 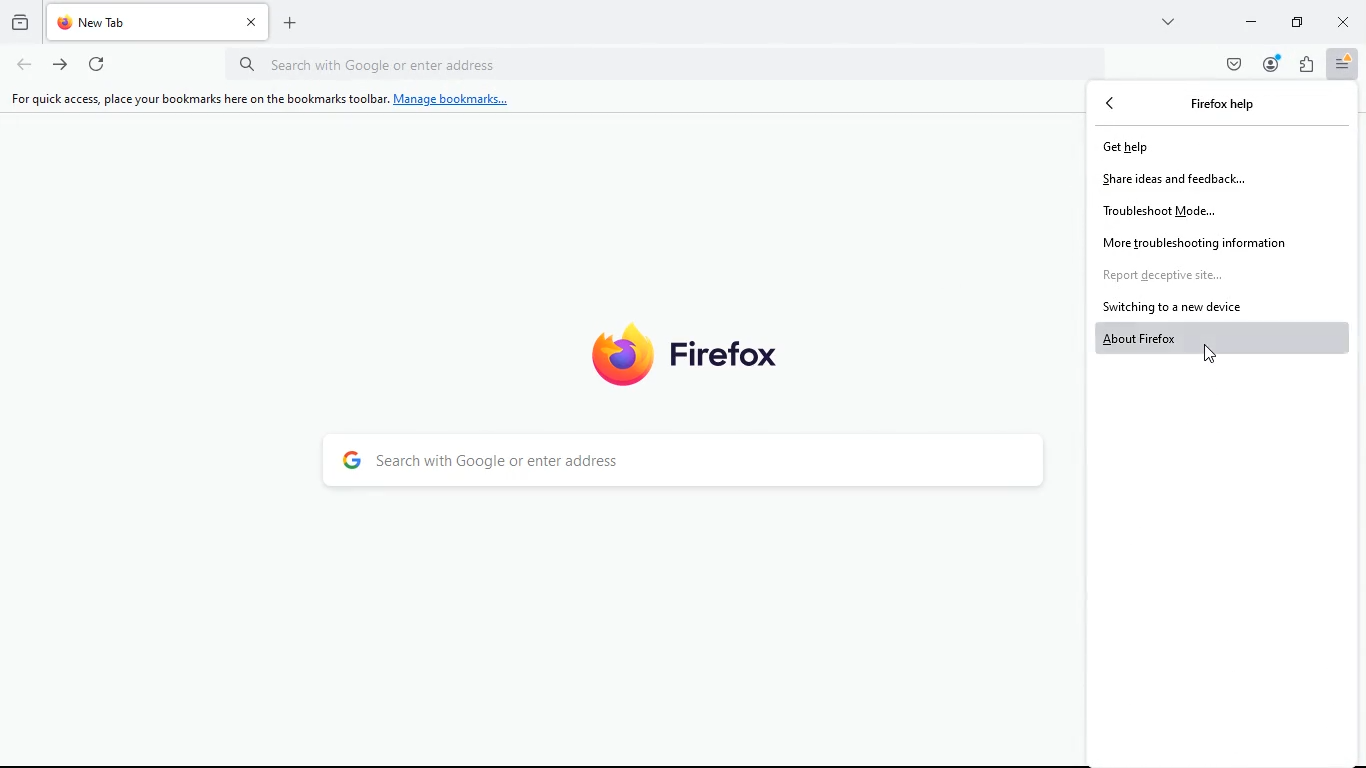 I want to click on forward, so click(x=61, y=65).